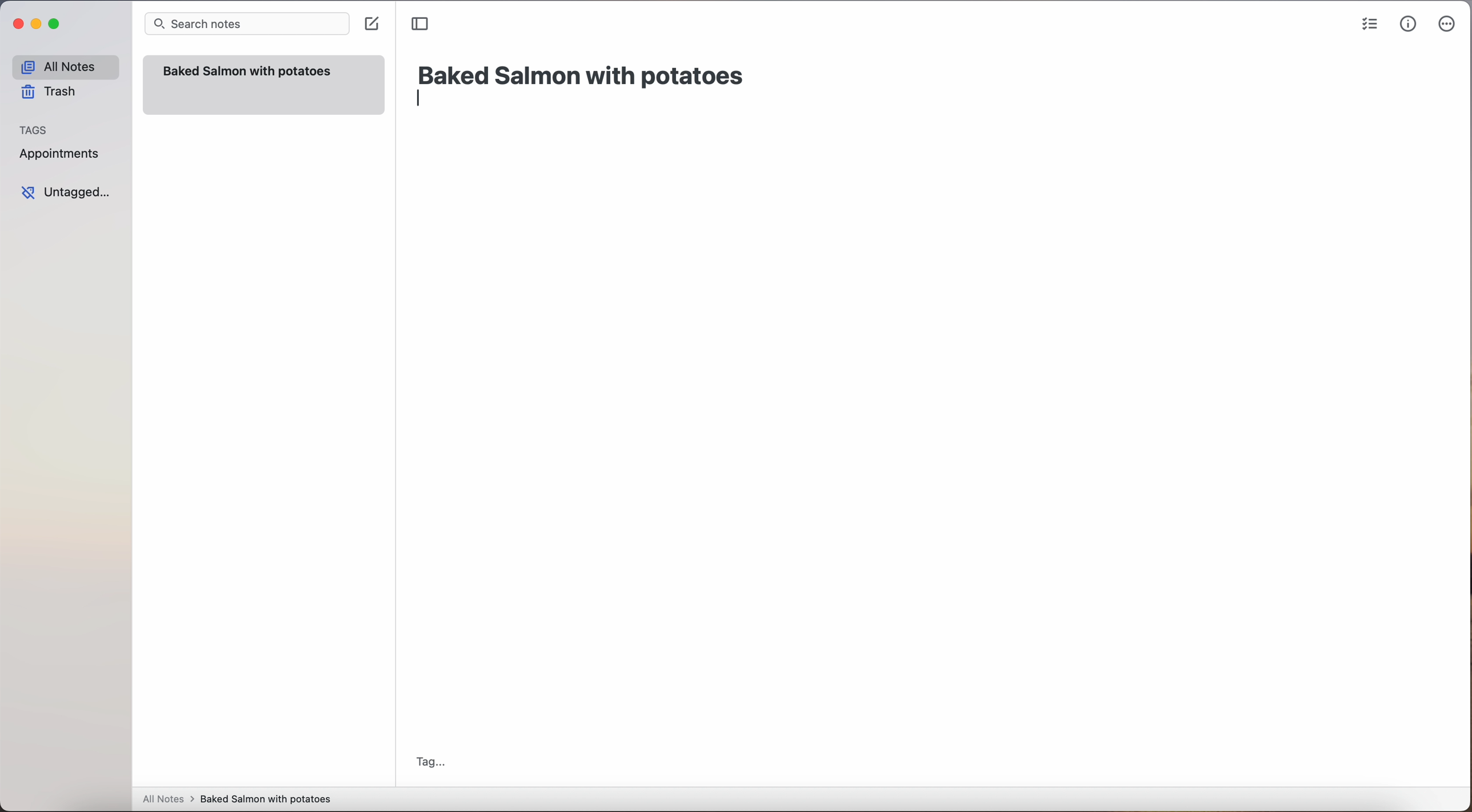 Image resolution: width=1472 pixels, height=812 pixels. What do you see at coordinates (17, 25) in the screenshot?
I see `close Simplenote` at bounding box center [17, 25].